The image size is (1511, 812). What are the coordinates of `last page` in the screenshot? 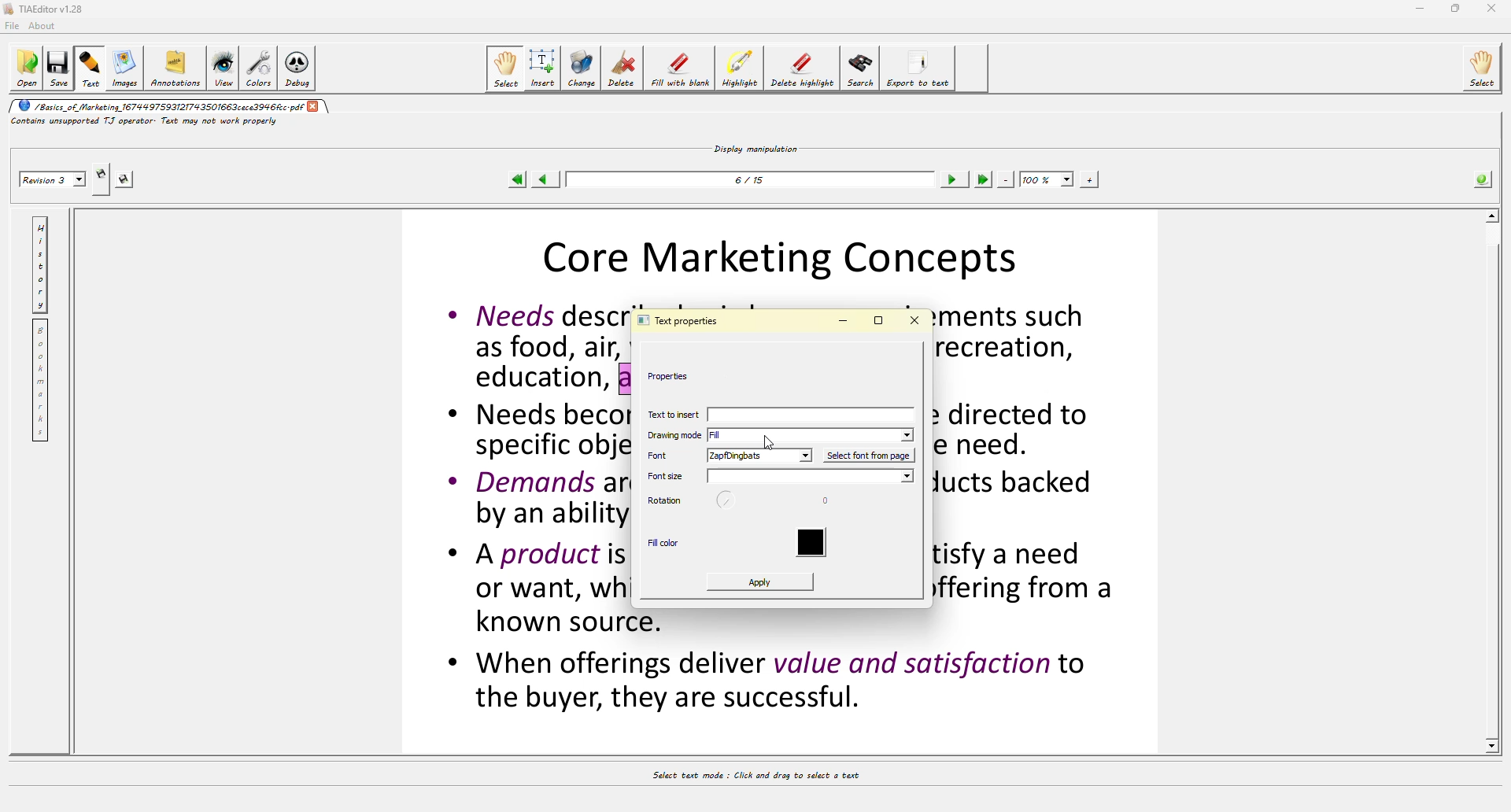 It's located at (984, 179).